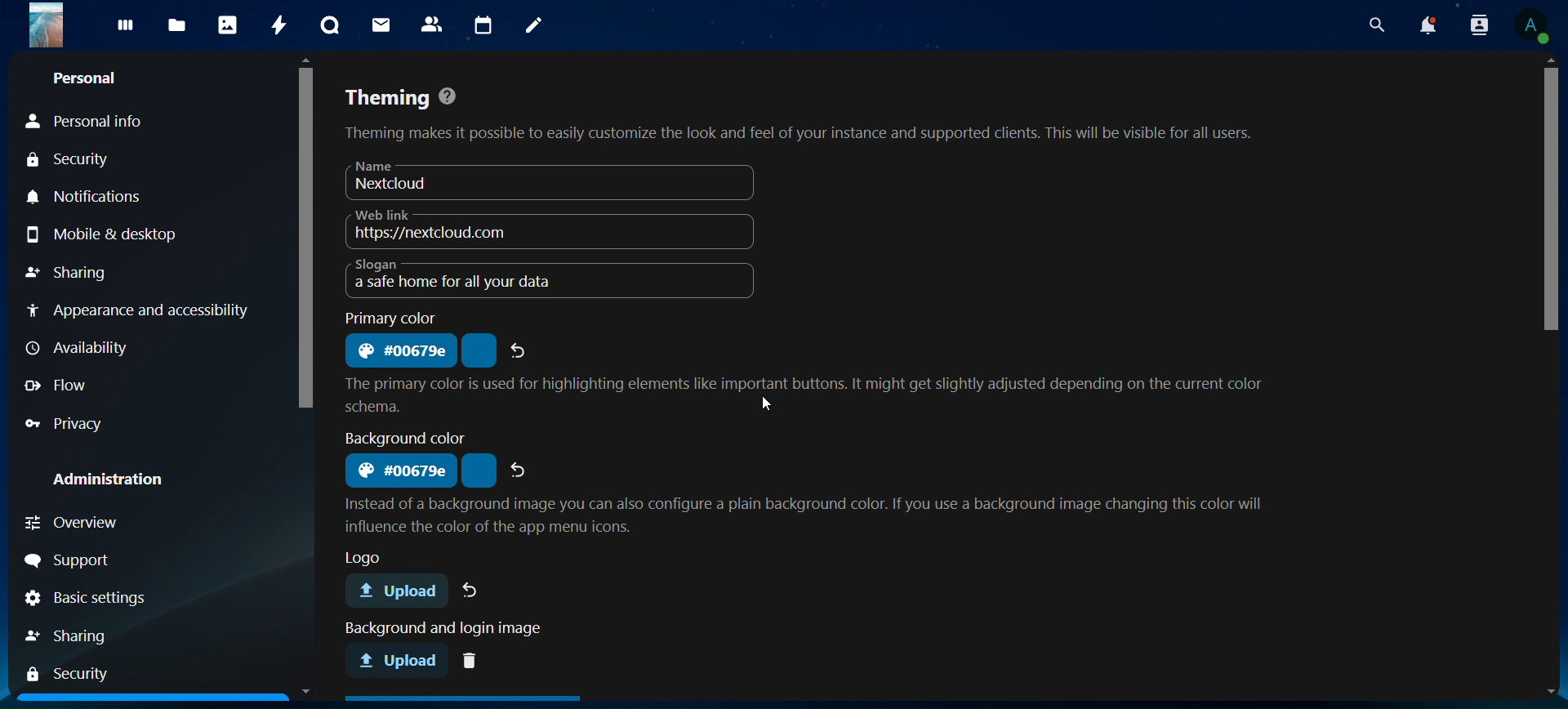  What do you see at coordinates (92, 79) in the screenshot?
I see `personal` at bounding box center [92, 79].